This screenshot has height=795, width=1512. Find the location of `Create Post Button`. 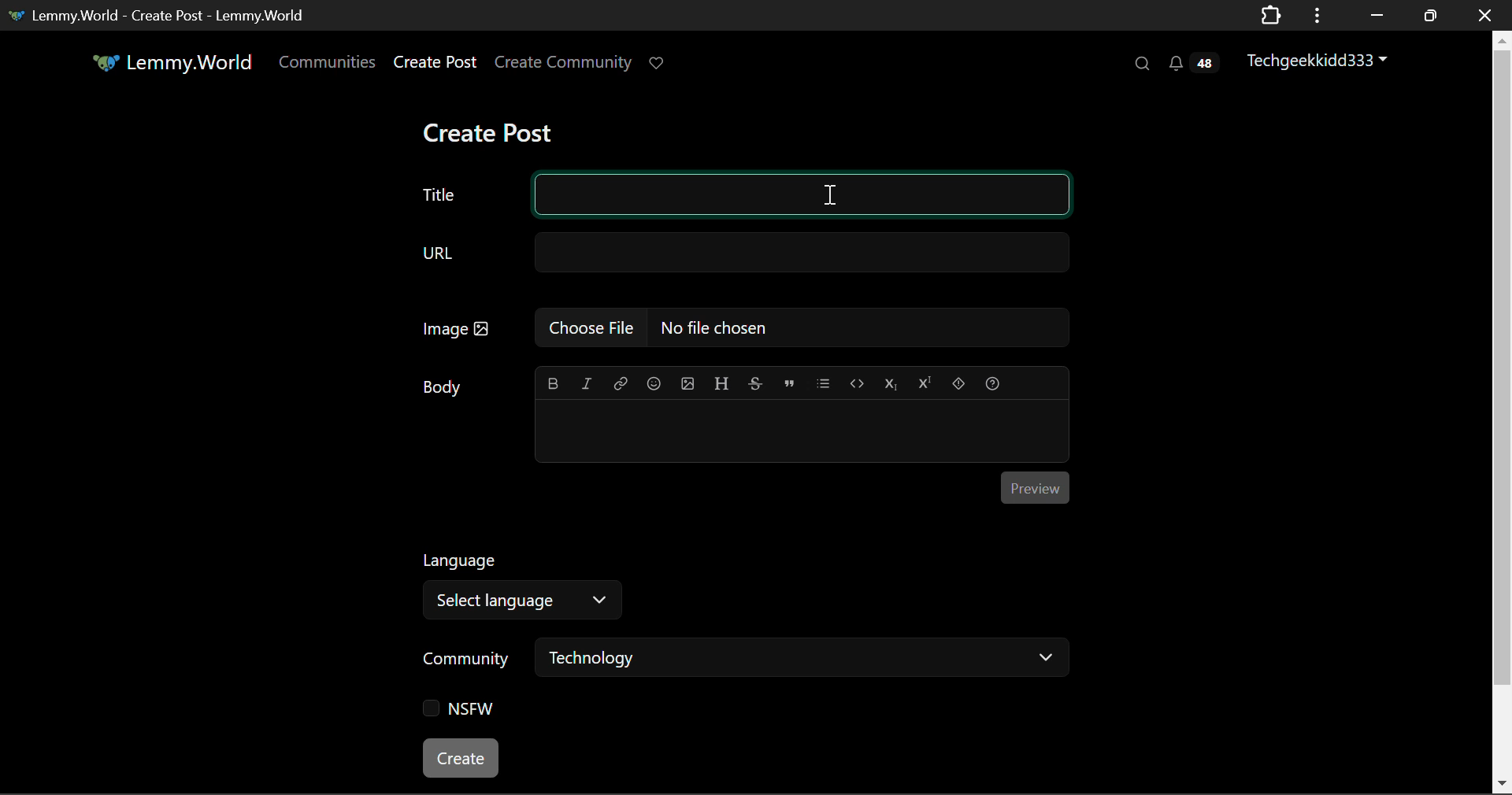

Create Post Button is located at coordinates (462, 758).